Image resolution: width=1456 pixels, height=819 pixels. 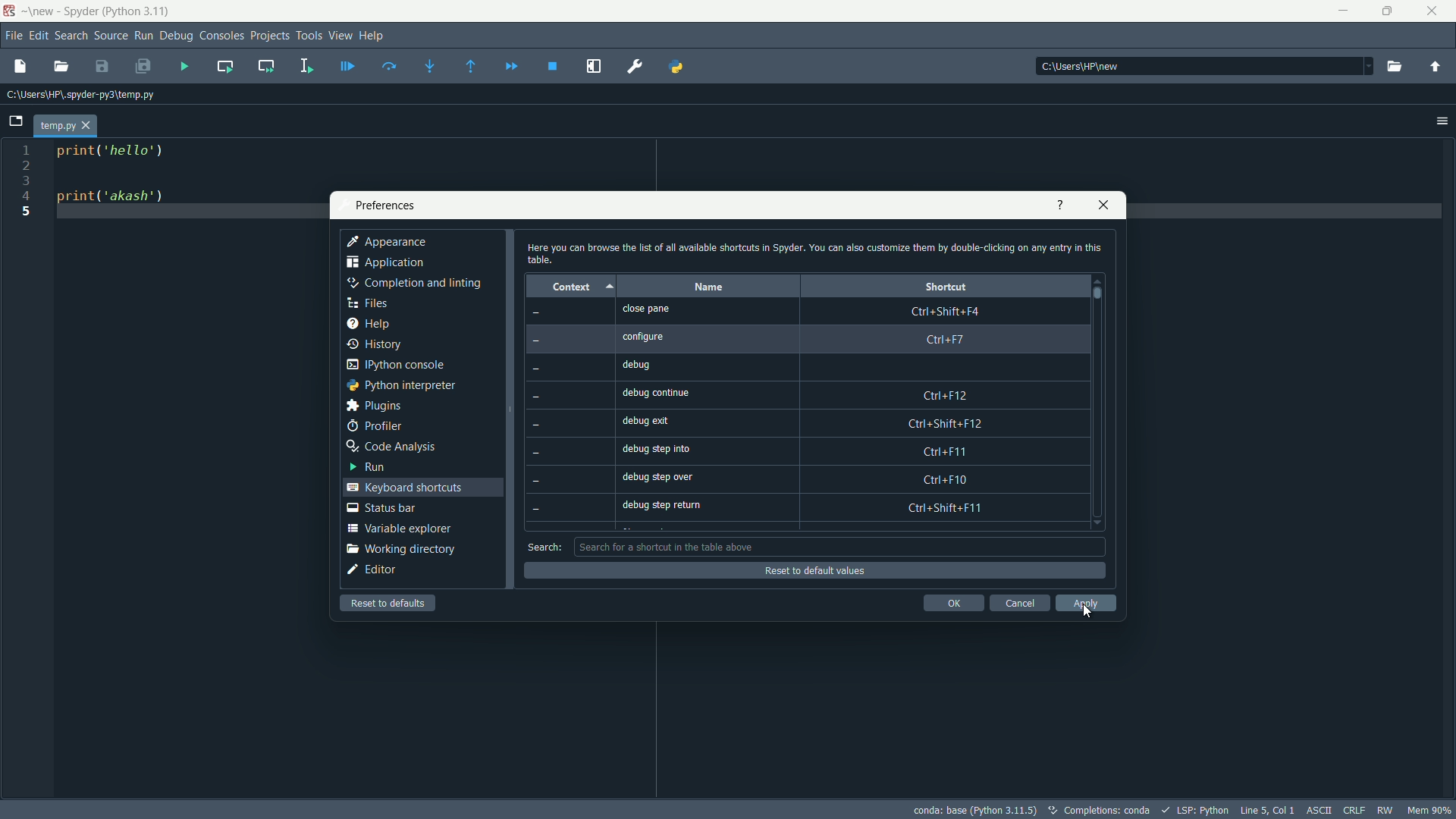 I want to click on file tab, so click(x=67, y=127).